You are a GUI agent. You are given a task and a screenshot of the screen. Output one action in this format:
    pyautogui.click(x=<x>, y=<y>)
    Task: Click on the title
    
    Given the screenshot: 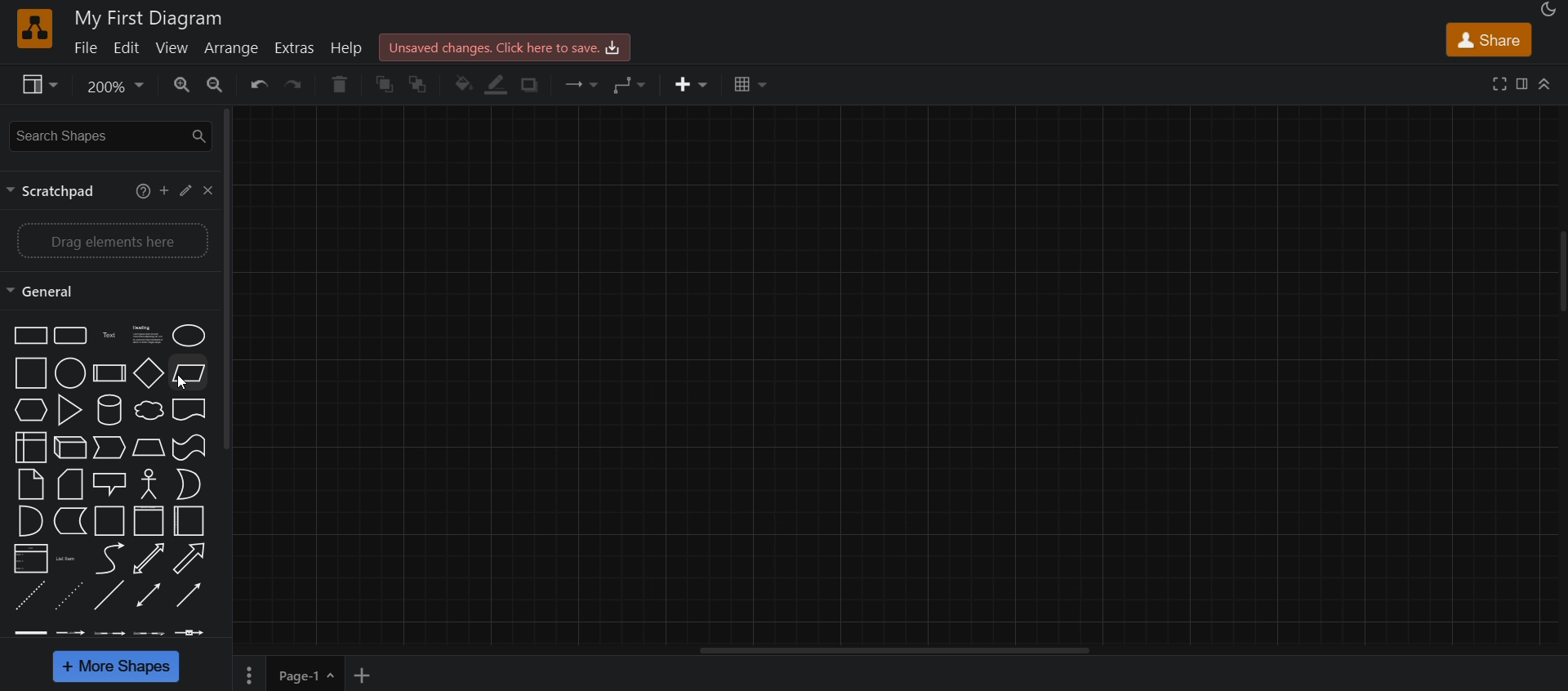 What is the action you would take?
    pyautogui.click(x=150, y=16)
    